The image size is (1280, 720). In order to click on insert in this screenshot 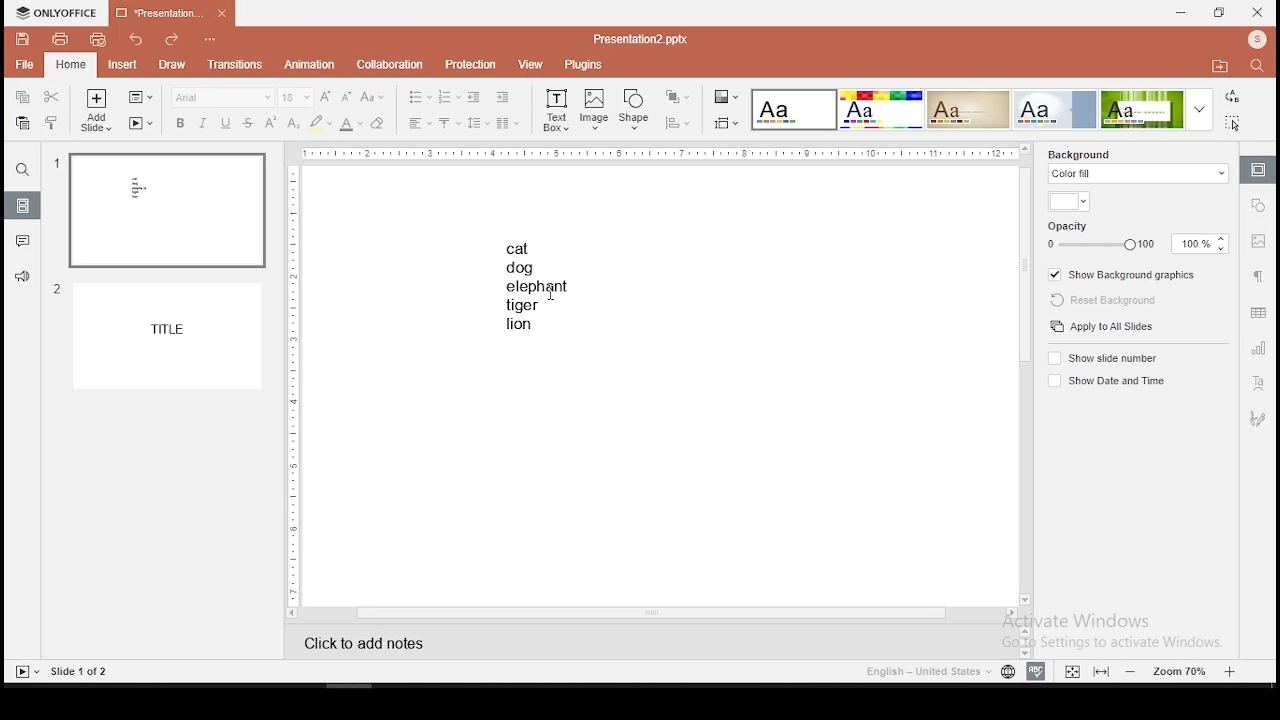, I will do `click(121, 63)`.